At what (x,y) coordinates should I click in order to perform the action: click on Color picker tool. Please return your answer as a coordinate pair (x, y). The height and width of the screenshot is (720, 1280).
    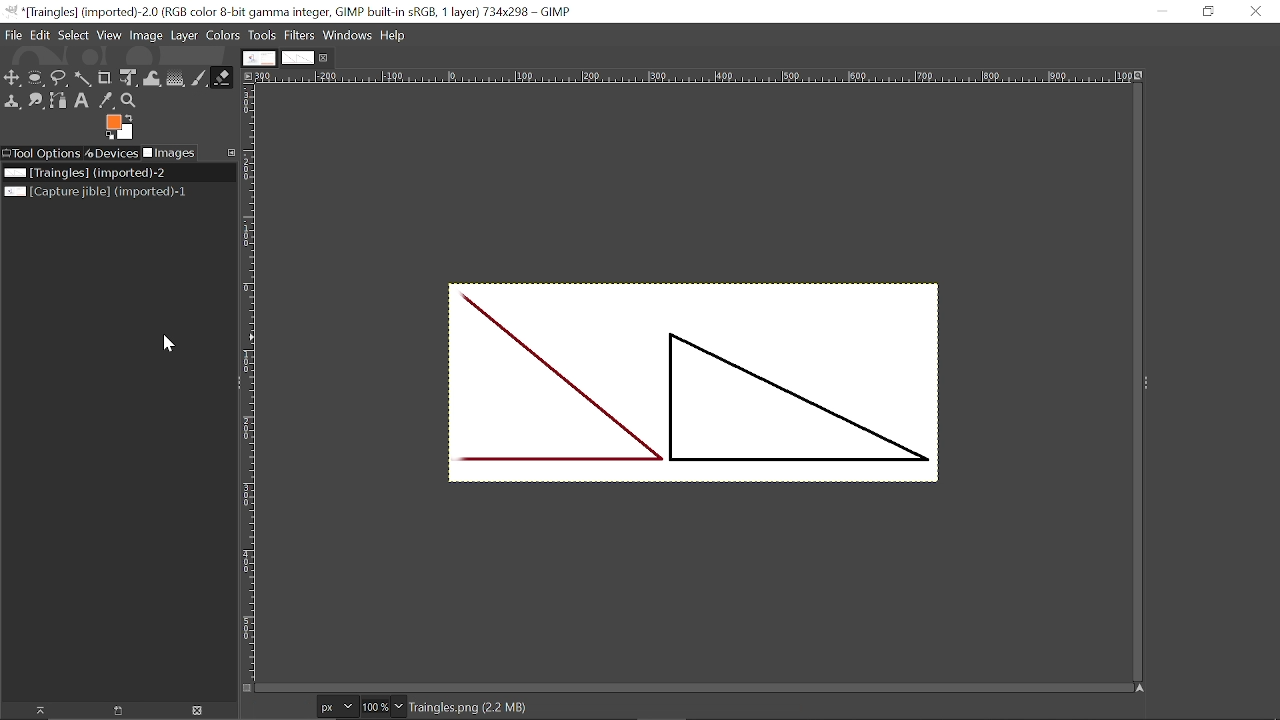
    Looking at the image, I should click on (105, 101).